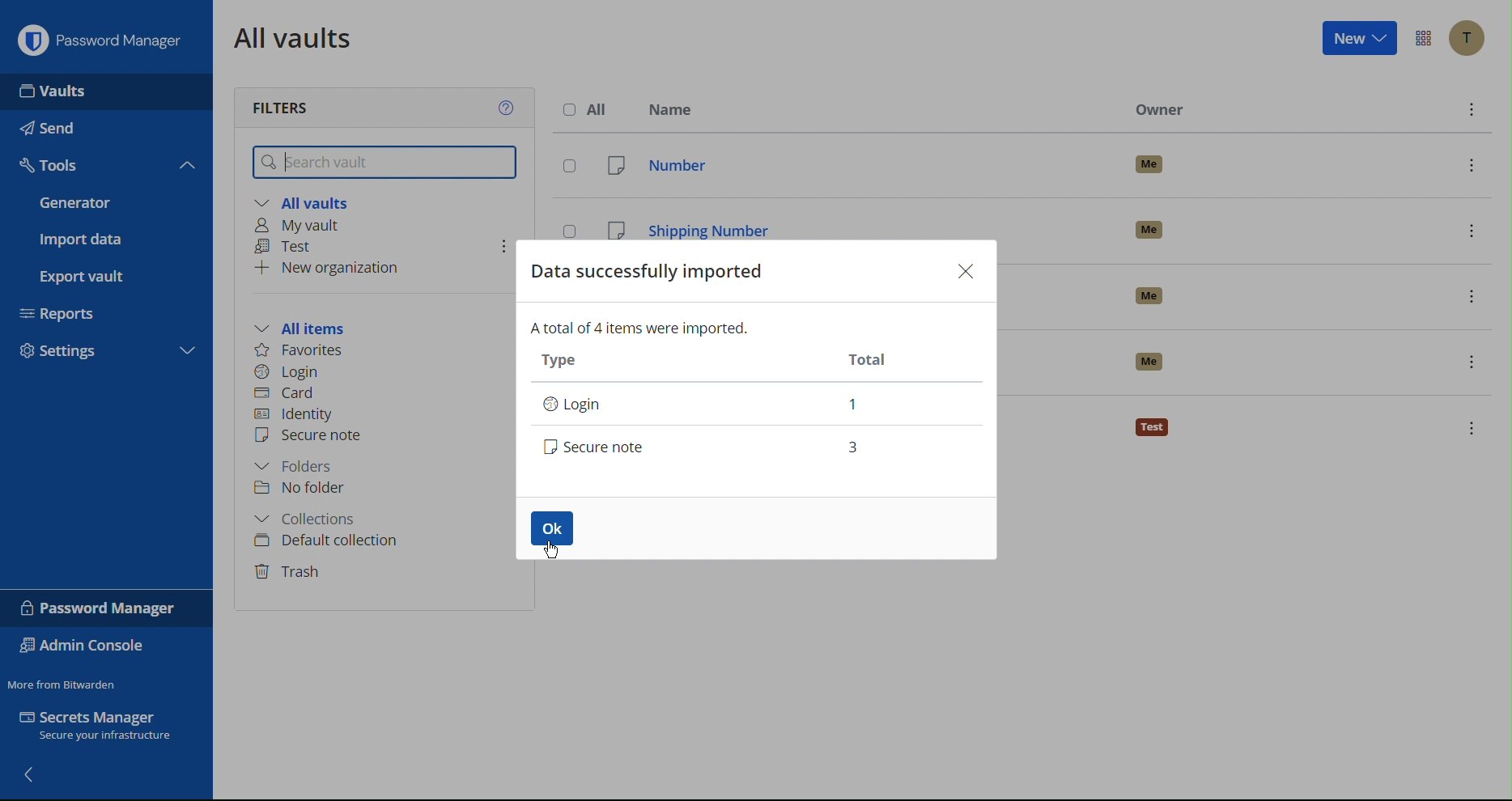 The height and width of the screenshot is (801, 1512). Describe the element at coordinates (647, 269) in the screenshot. I see `Data Successfully Imported` at that location.